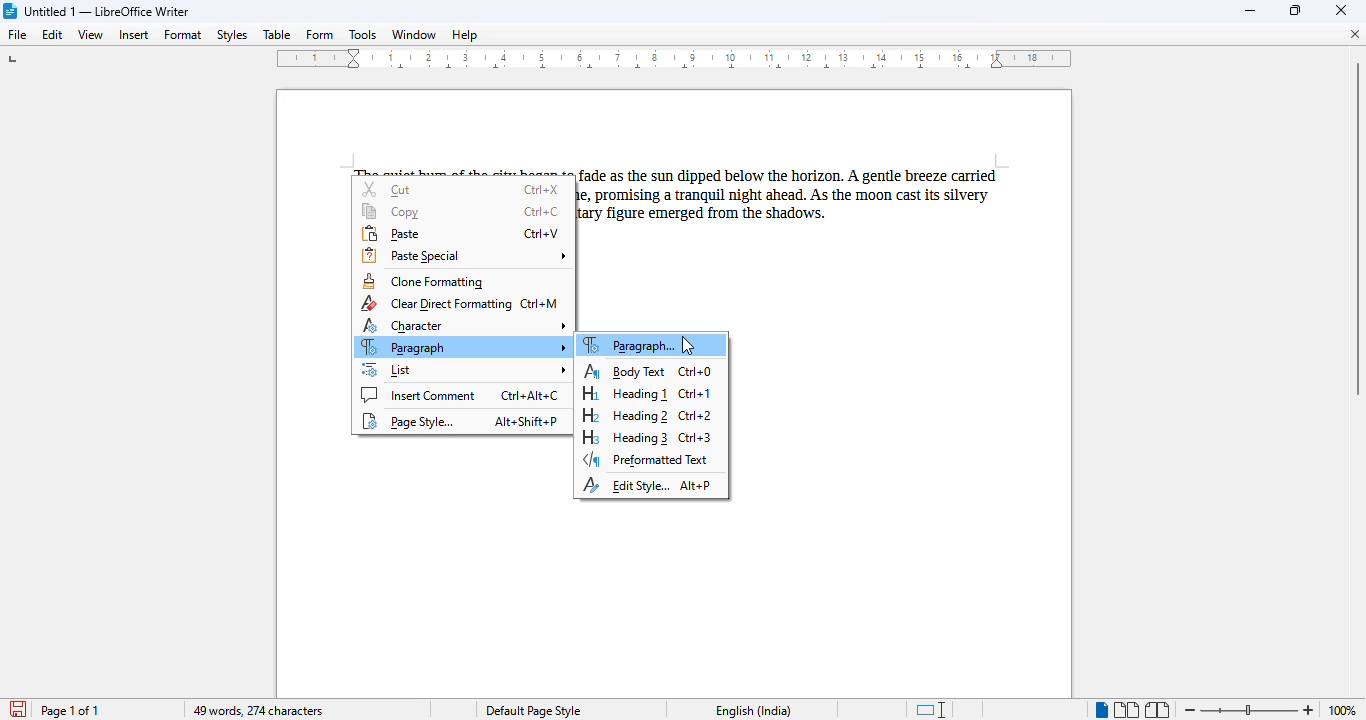  I want to click on paste, so click(461, 233).